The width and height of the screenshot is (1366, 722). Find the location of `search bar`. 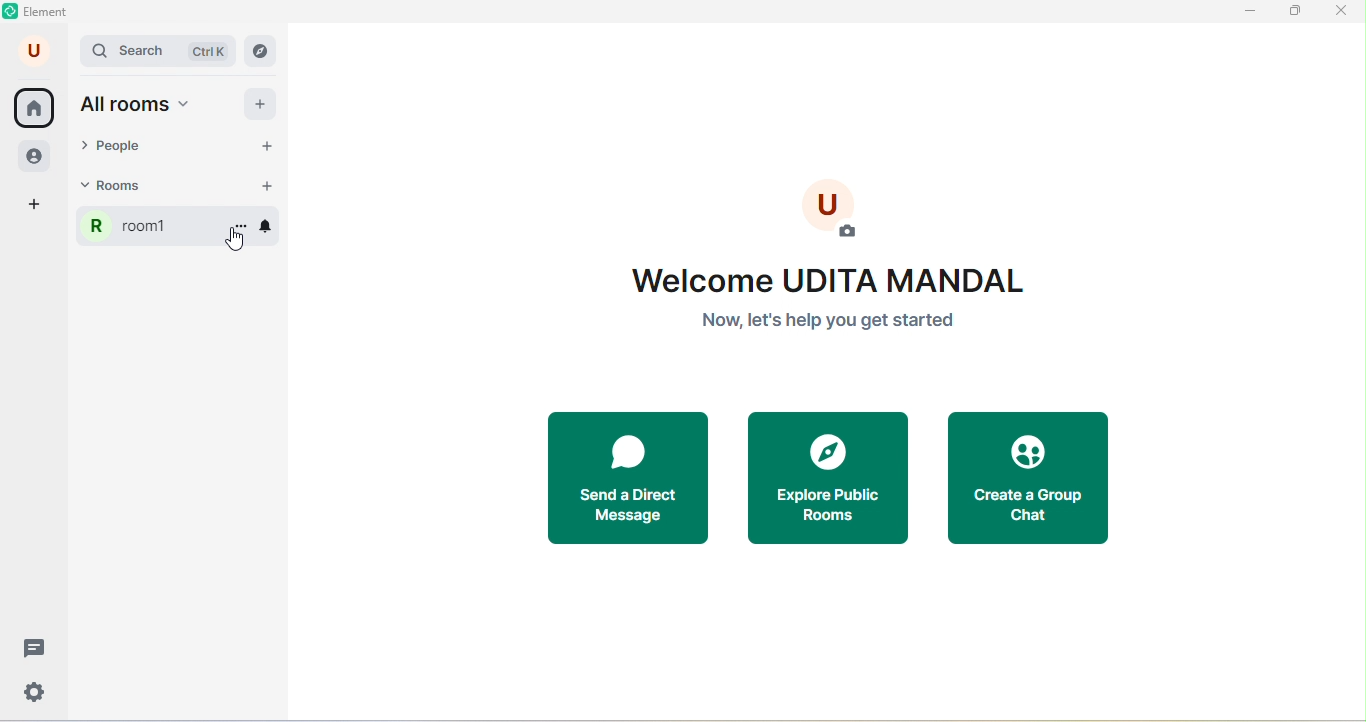

search bar is located at coordinates (160, 51).